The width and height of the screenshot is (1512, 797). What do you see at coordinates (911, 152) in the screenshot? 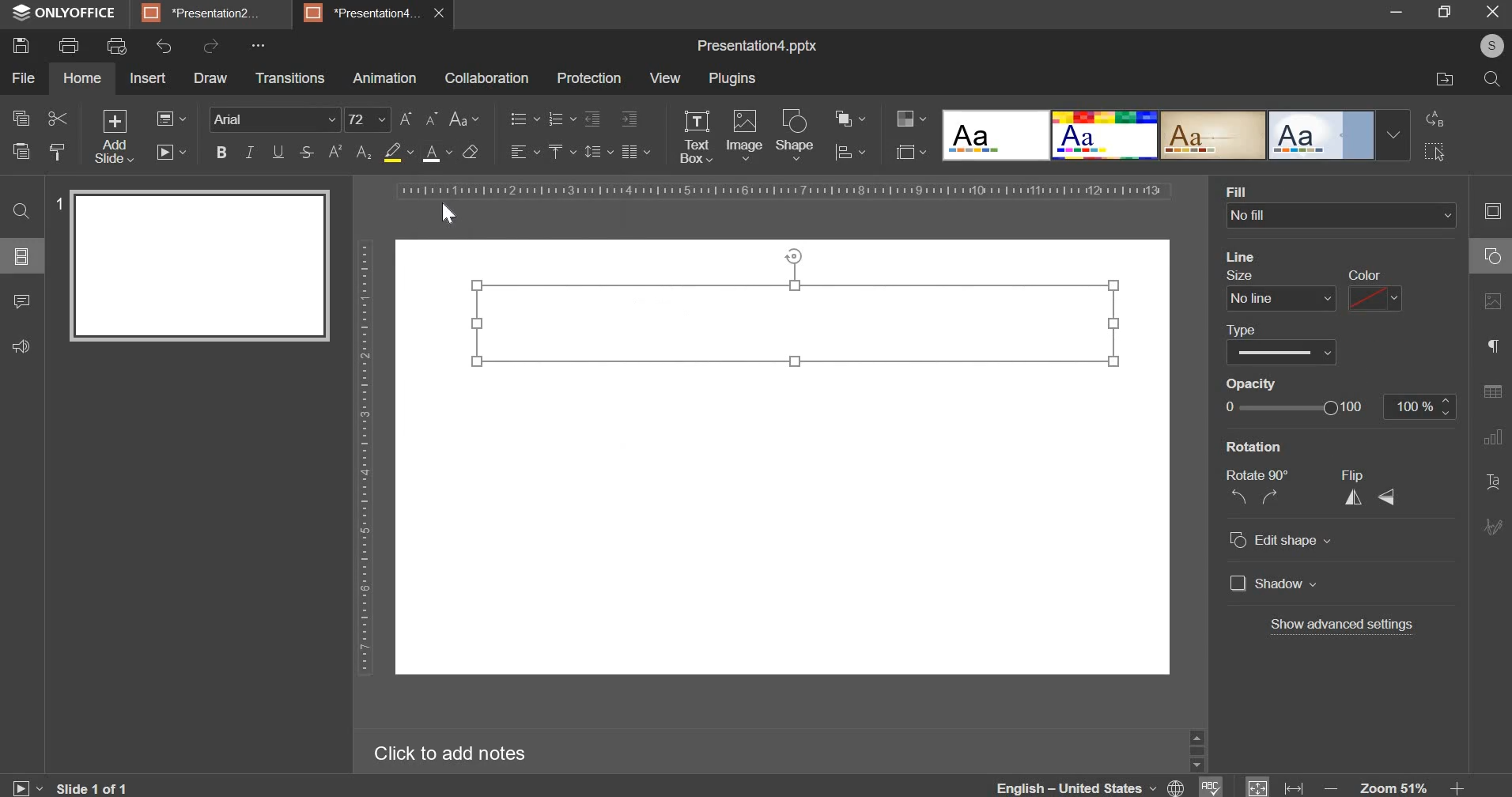
I see `select slide size` at bounding box center [911, 152].